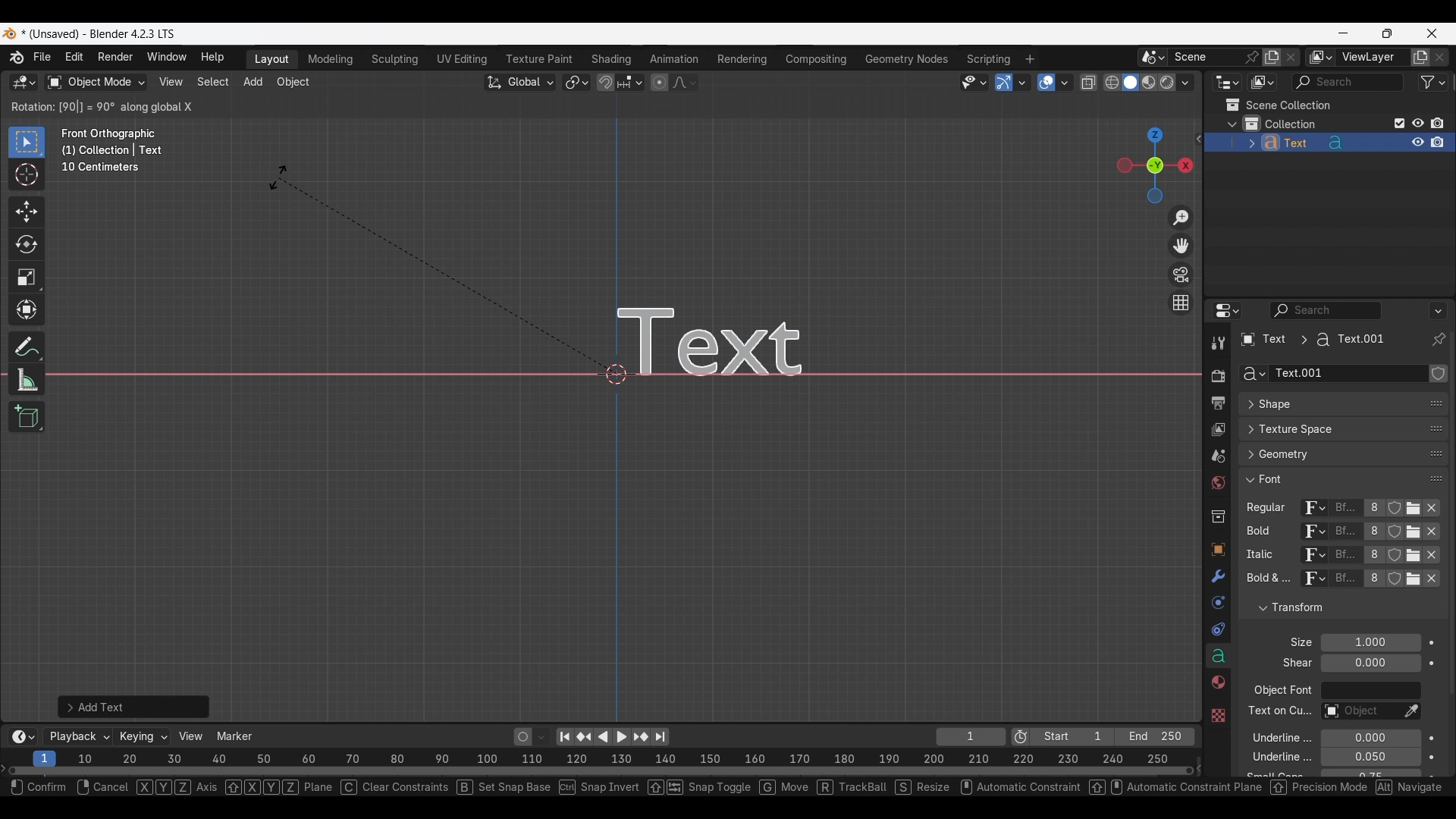 The height and width of the screenshot is (819, 1456). I want to click on Medeling workspace, so click(331, 60).